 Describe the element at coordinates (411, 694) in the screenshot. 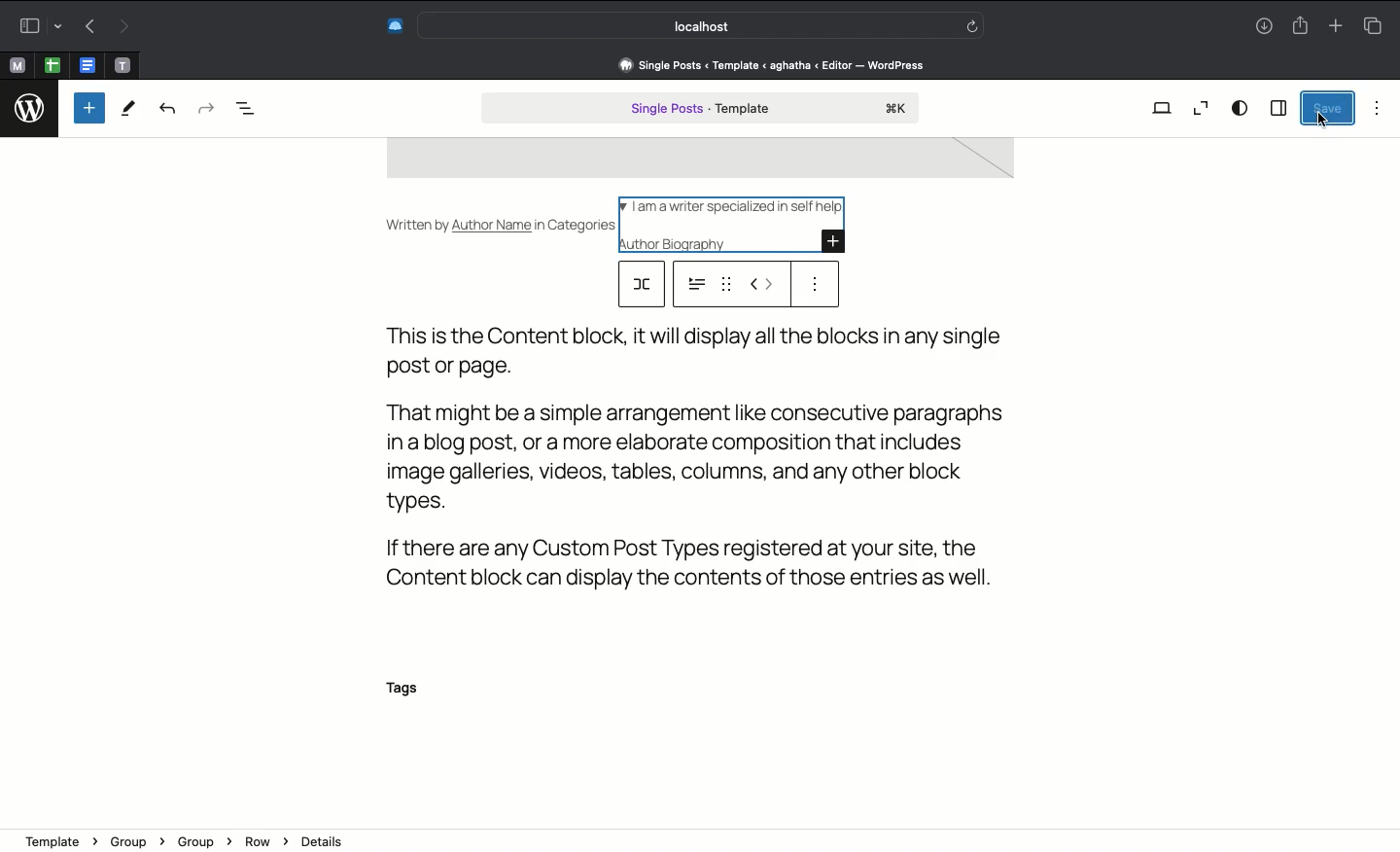

I see `Tags` at that location.